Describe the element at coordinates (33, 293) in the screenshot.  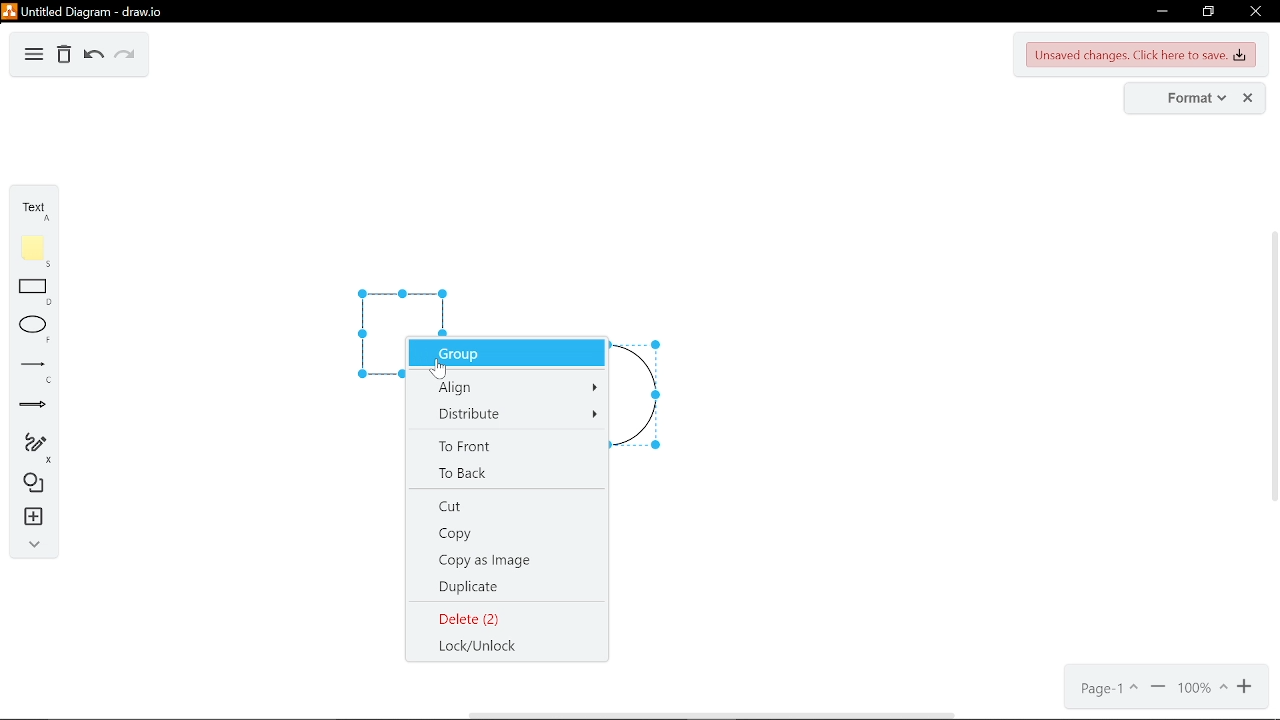
I see `rectangle` at that location.